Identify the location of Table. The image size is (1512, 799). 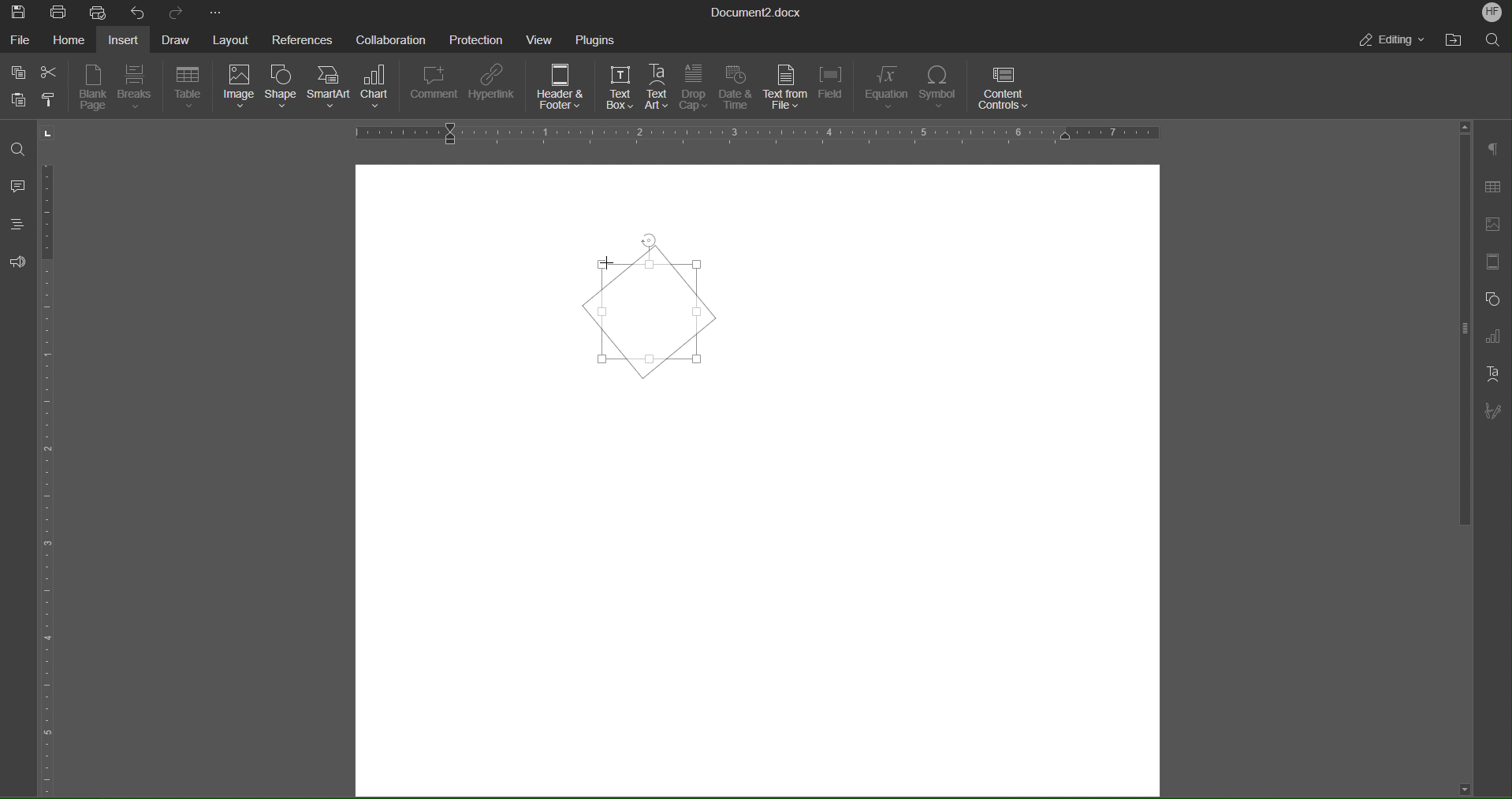
(189, 88).